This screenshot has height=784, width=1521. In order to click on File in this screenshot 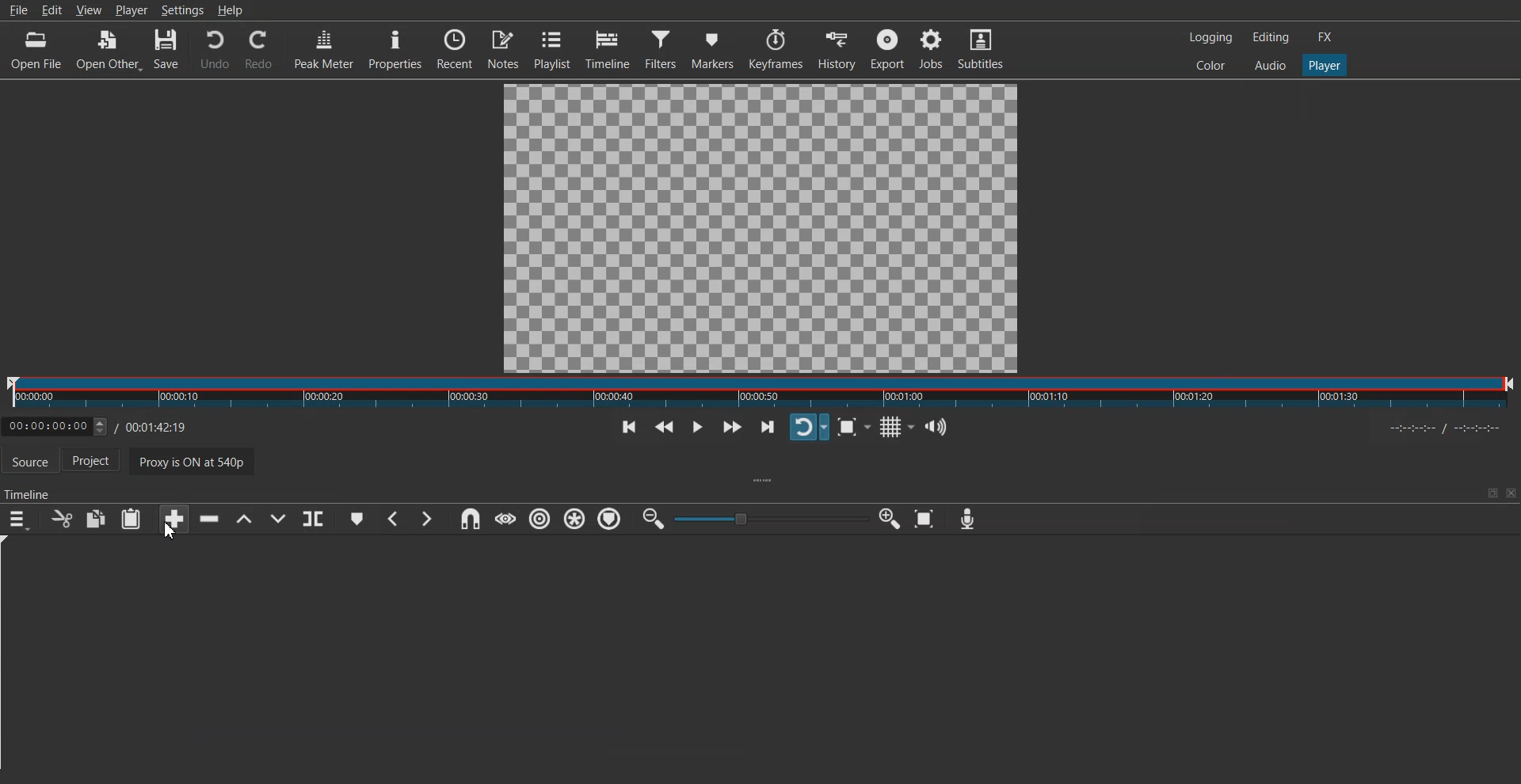, I will do `click(17, 10)`.